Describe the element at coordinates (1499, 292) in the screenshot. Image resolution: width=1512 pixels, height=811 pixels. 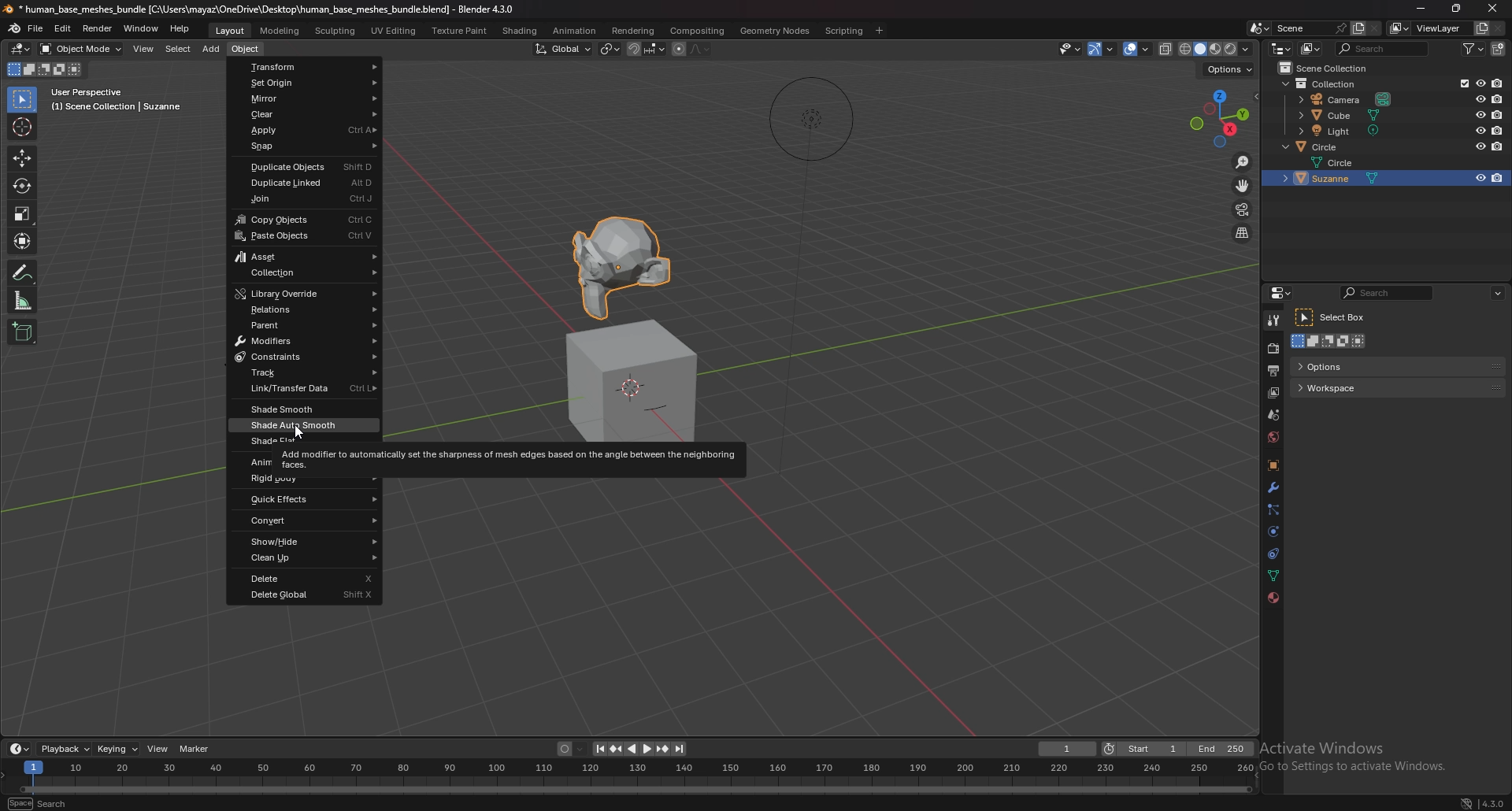
I see `options` at that location.